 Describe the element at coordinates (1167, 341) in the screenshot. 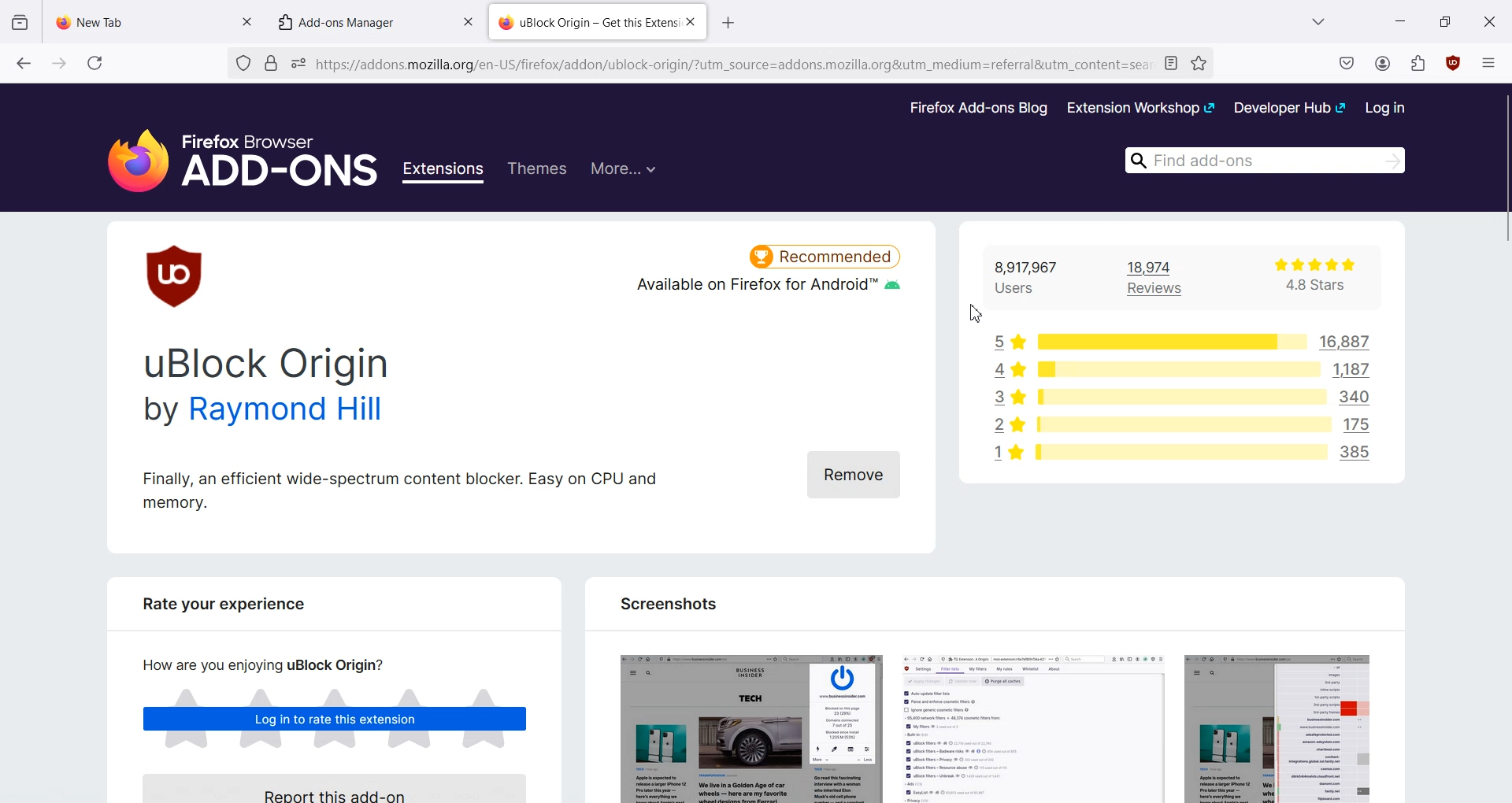

I see `rating bar` at that location.